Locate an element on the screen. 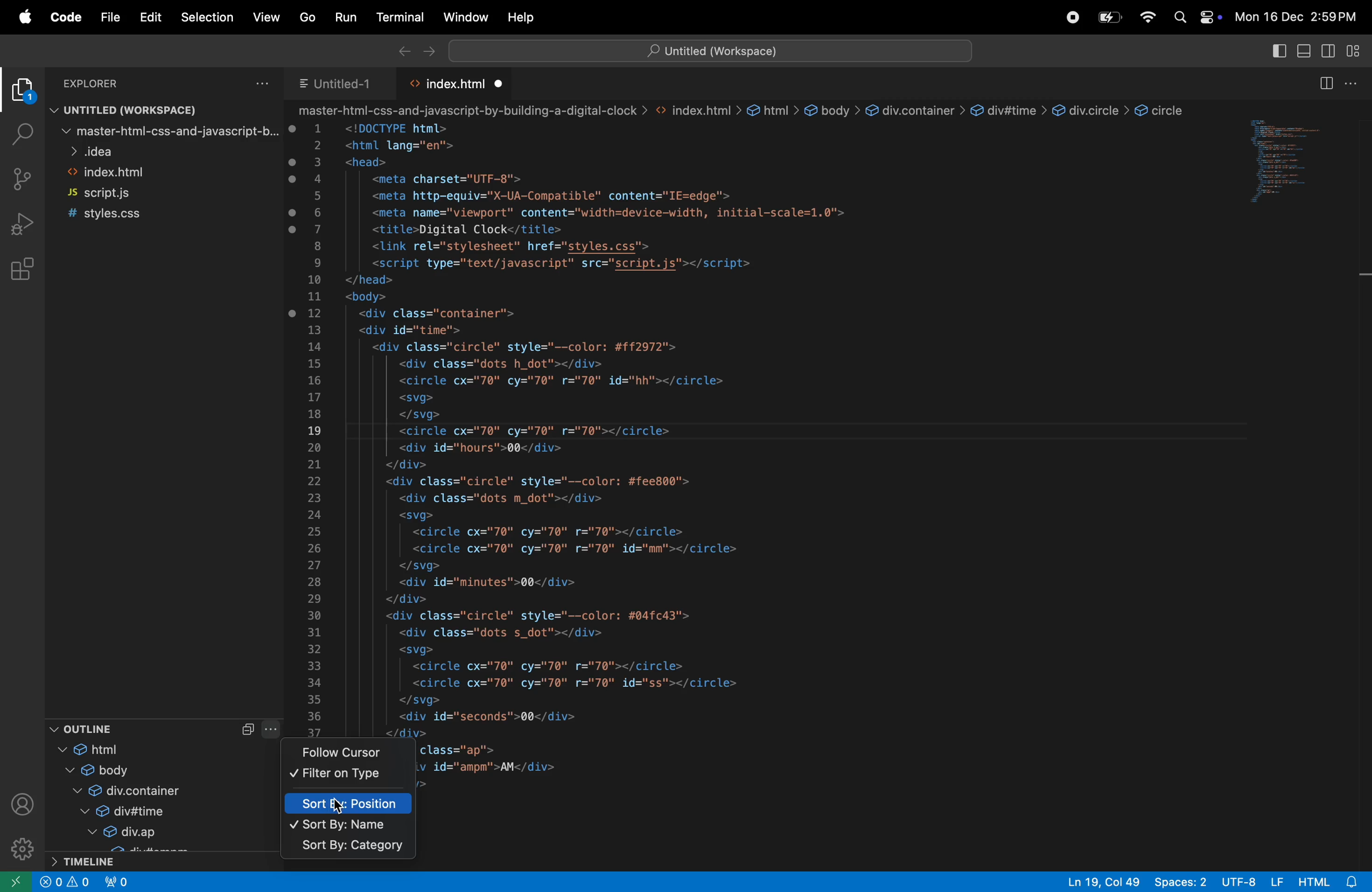 This screenshot has width=1372, height=892. html alert is located at coordinates (1328, 882).